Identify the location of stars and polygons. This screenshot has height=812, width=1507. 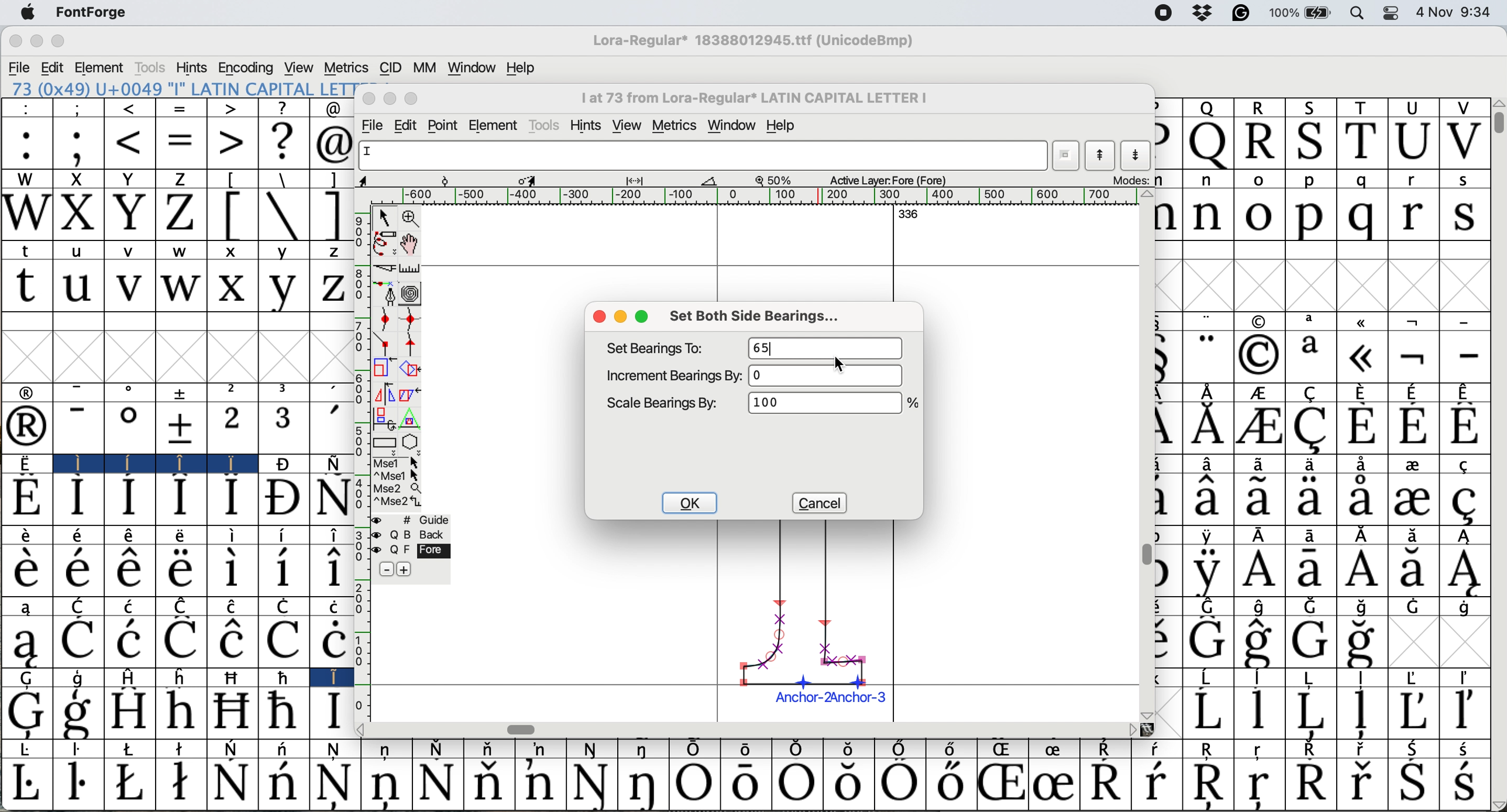
(412, 442).